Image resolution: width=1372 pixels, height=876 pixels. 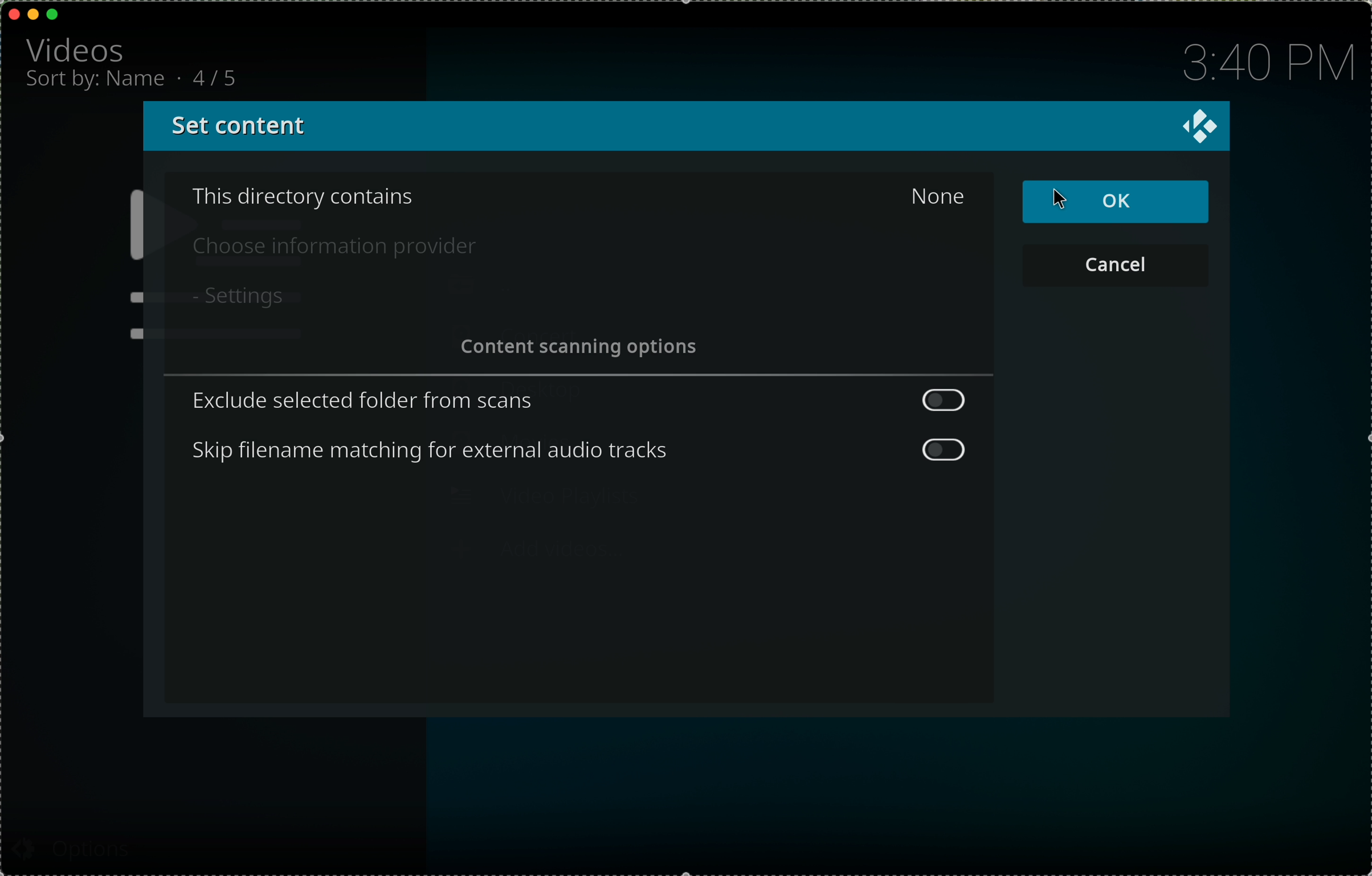 What do you see at coordinates (1200, 126) in the screenshot?
I see `close` at bounding box center [1200, 126].